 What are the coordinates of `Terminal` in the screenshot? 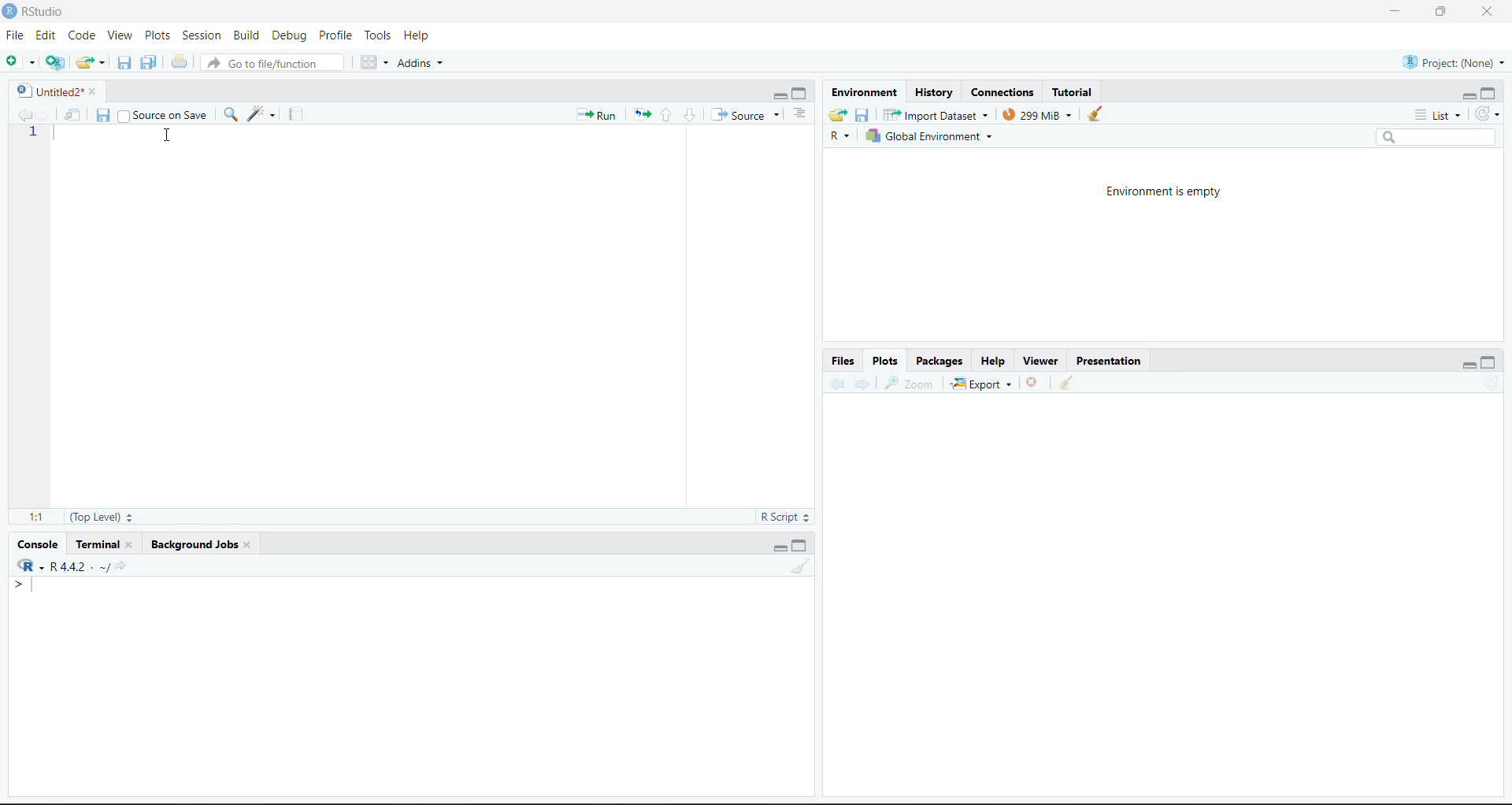 It's located at (96, 544).